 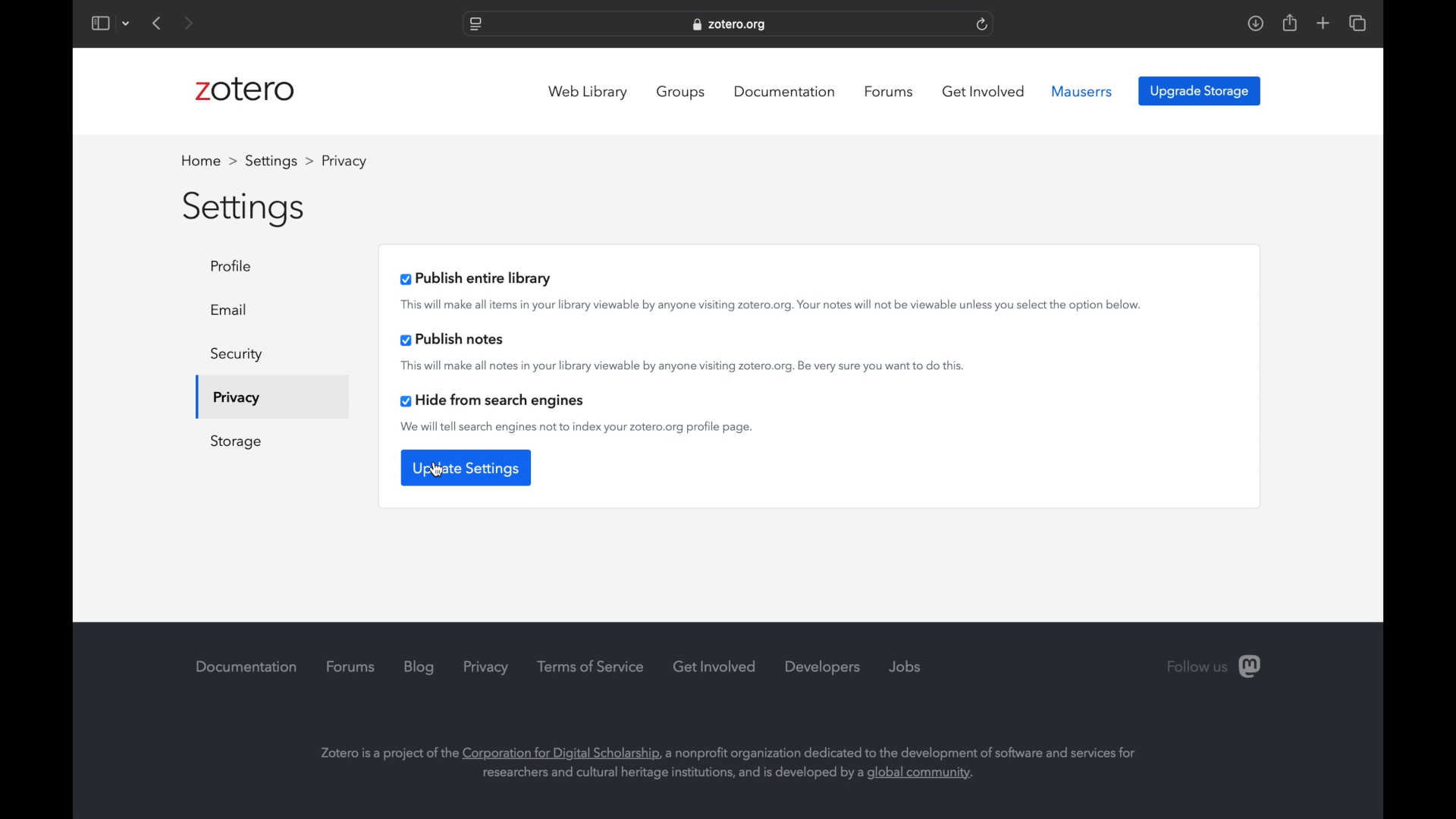 What do you see at coordinates (731, 25) in the screenshot?
I see `zotero.org` at bounding box center [731, 25].